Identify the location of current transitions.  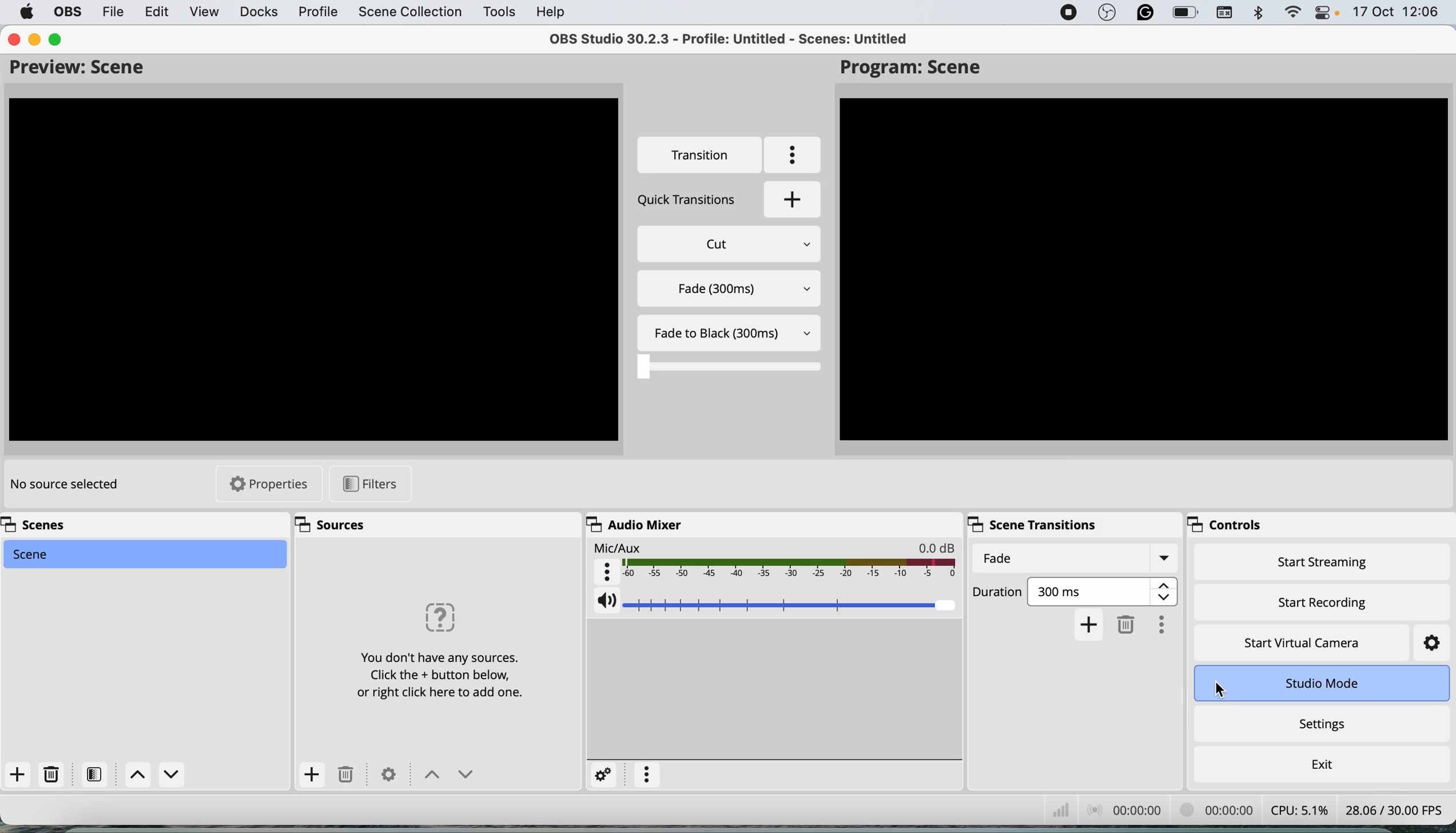
(1073, 559).